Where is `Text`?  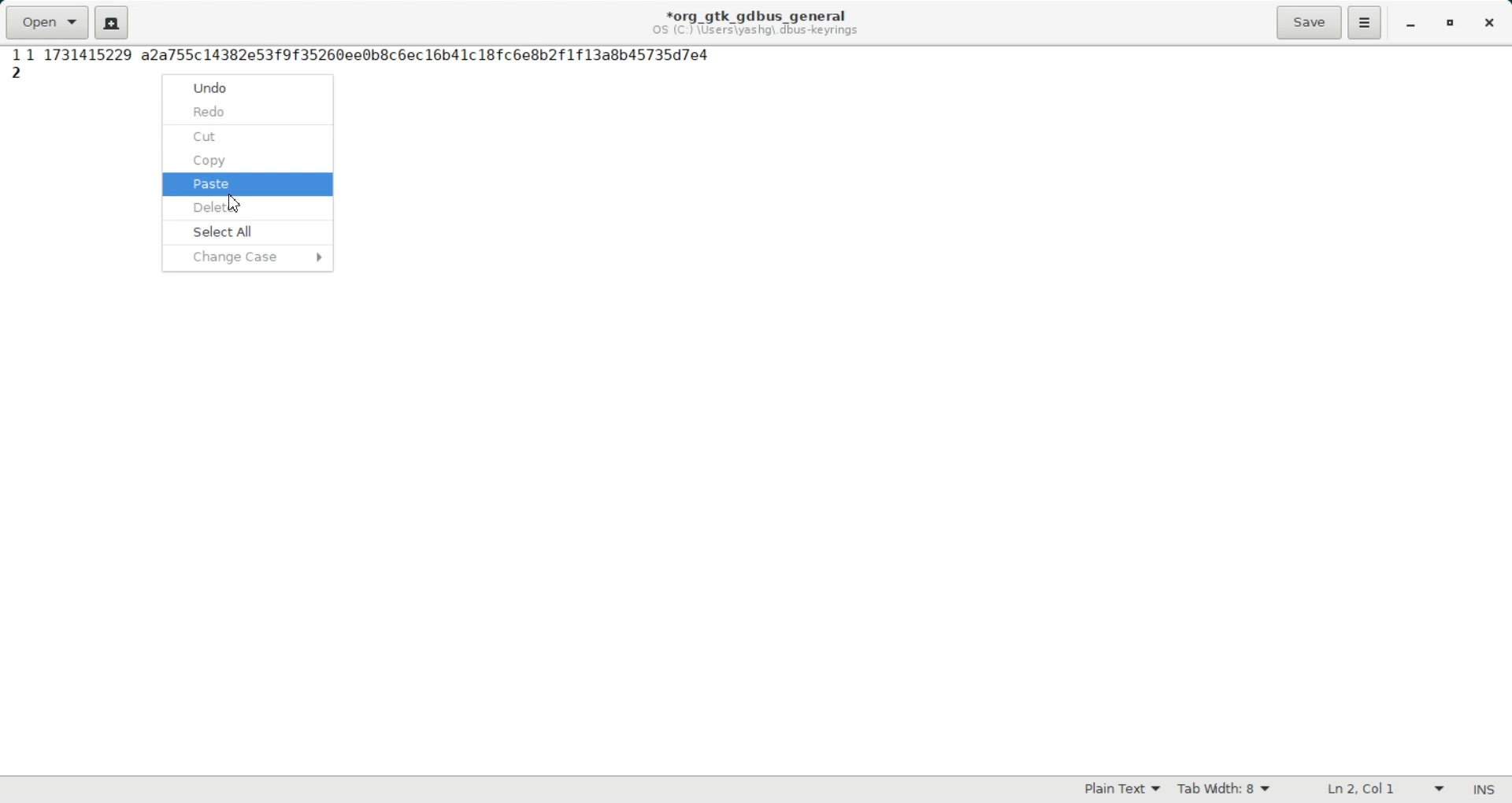 Text is located at coordinates (1483, 790).